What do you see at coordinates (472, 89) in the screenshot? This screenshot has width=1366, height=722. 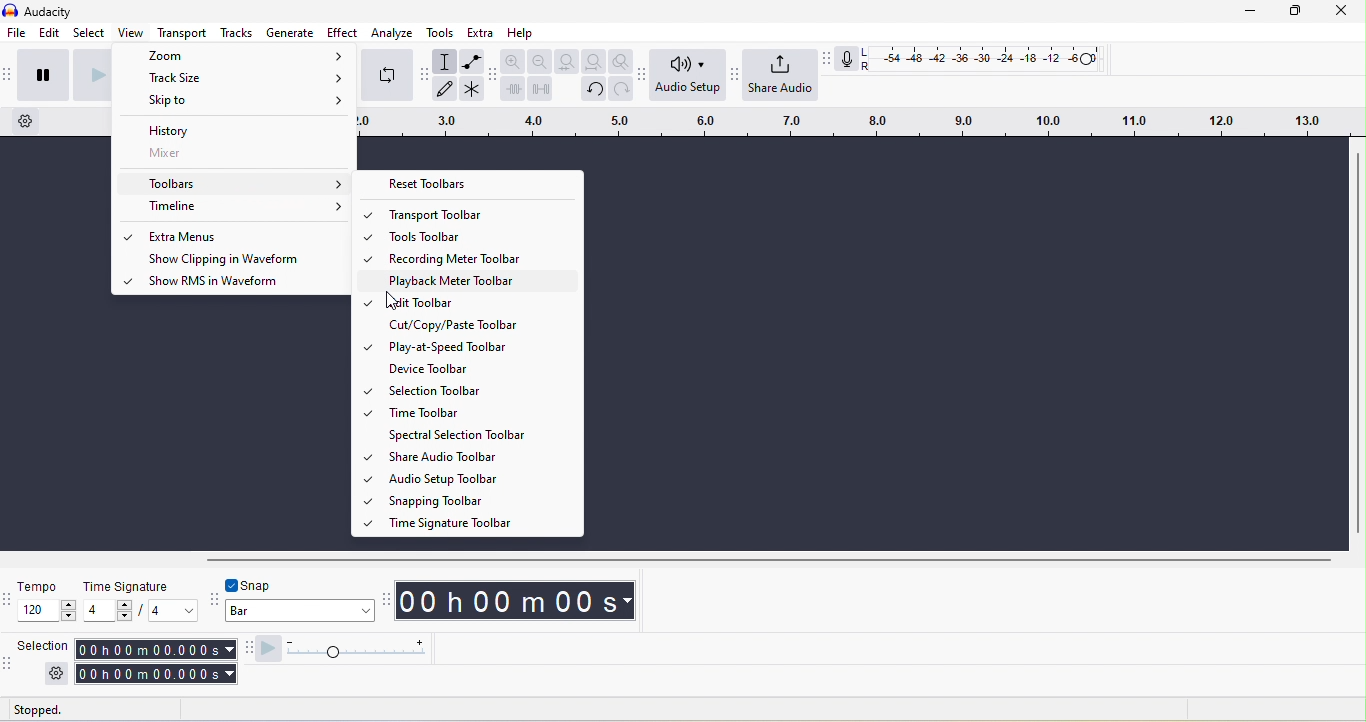 I see `multi-tool` at bounding box center [472, 89].